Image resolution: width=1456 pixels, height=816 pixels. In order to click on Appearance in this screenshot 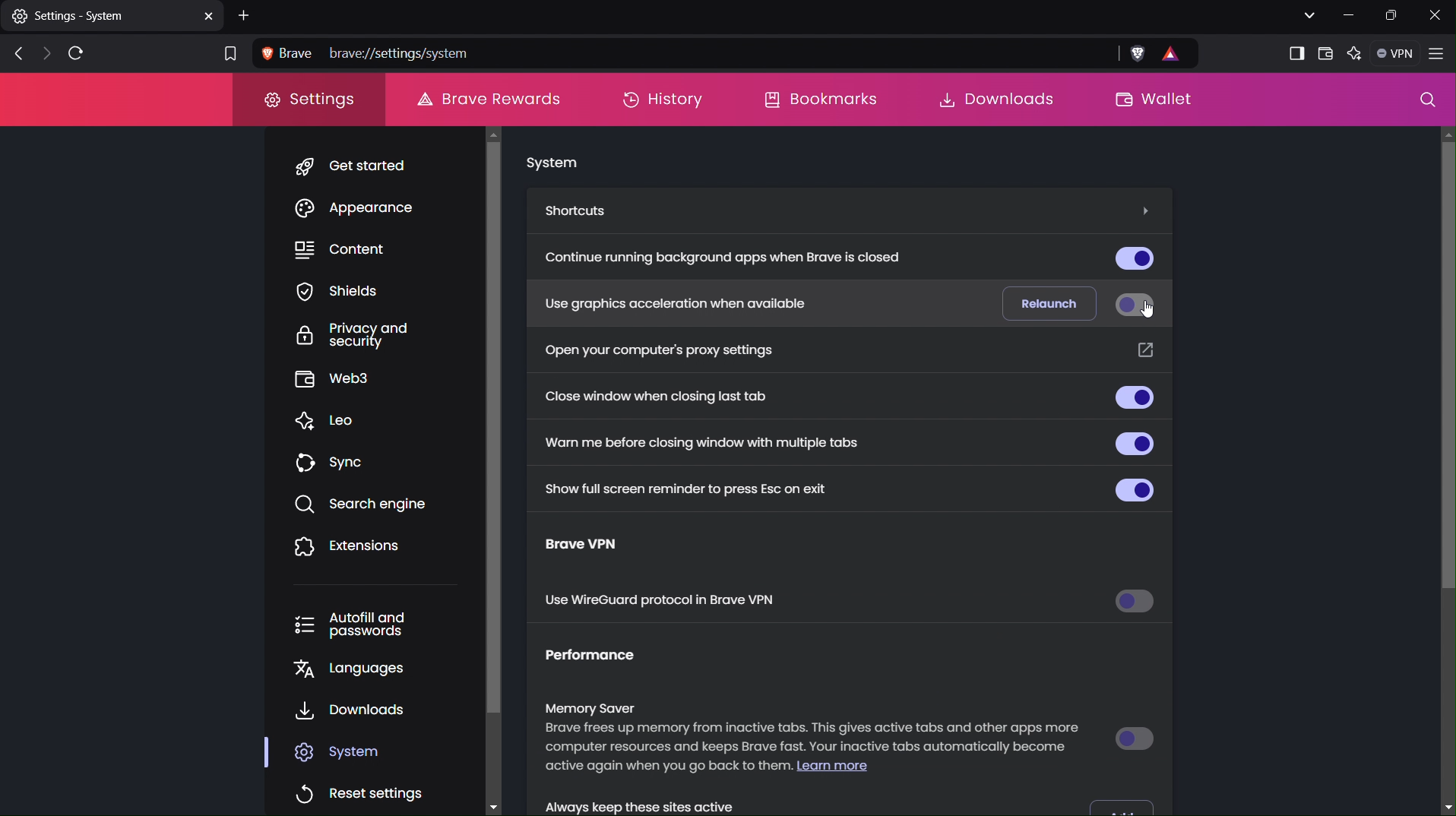, I will do `click(362, 210)`.